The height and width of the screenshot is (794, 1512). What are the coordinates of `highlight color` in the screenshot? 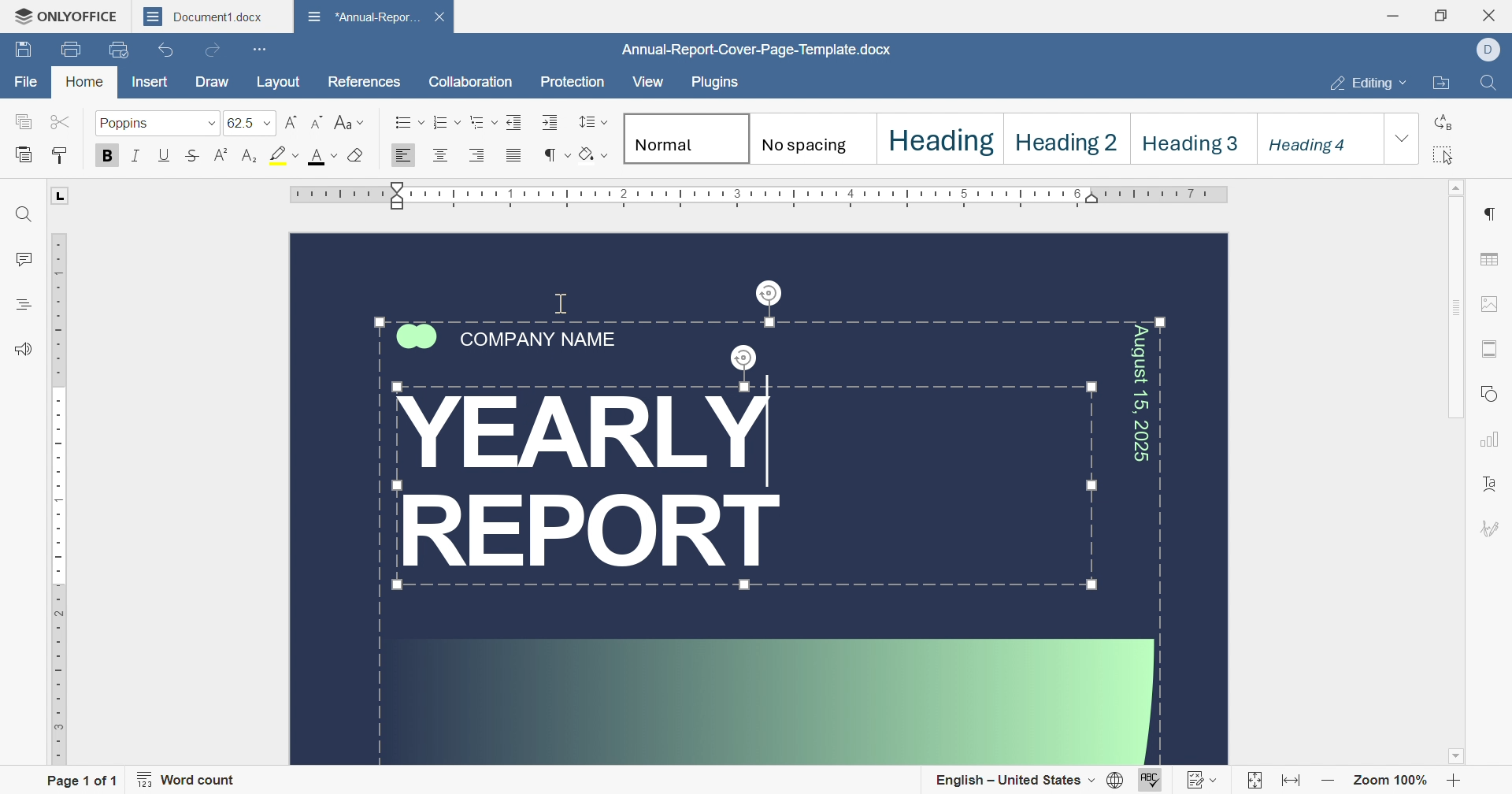 It's located at (285, 155).